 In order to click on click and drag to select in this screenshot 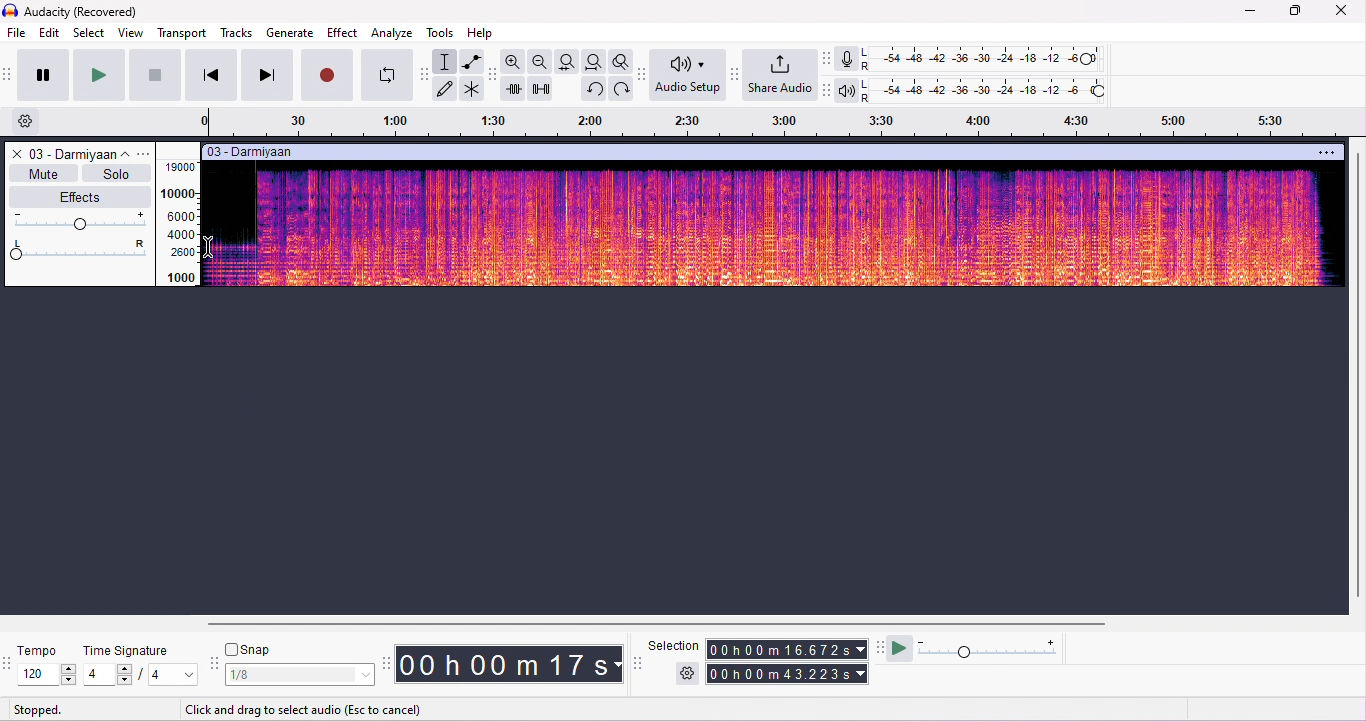, I will do `click(304, 707)`.